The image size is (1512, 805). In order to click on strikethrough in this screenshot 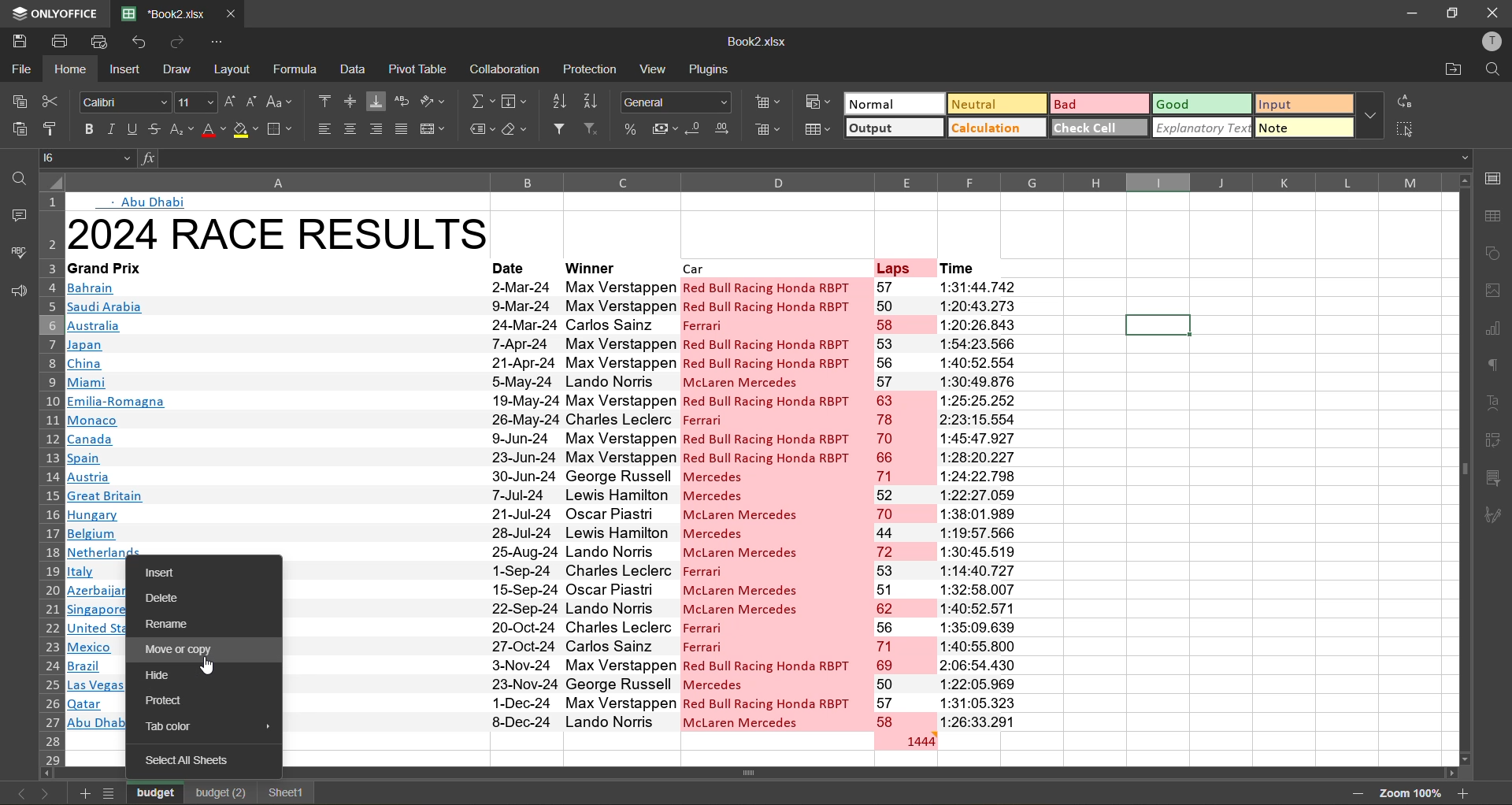, I will do `click(156, 129)`.